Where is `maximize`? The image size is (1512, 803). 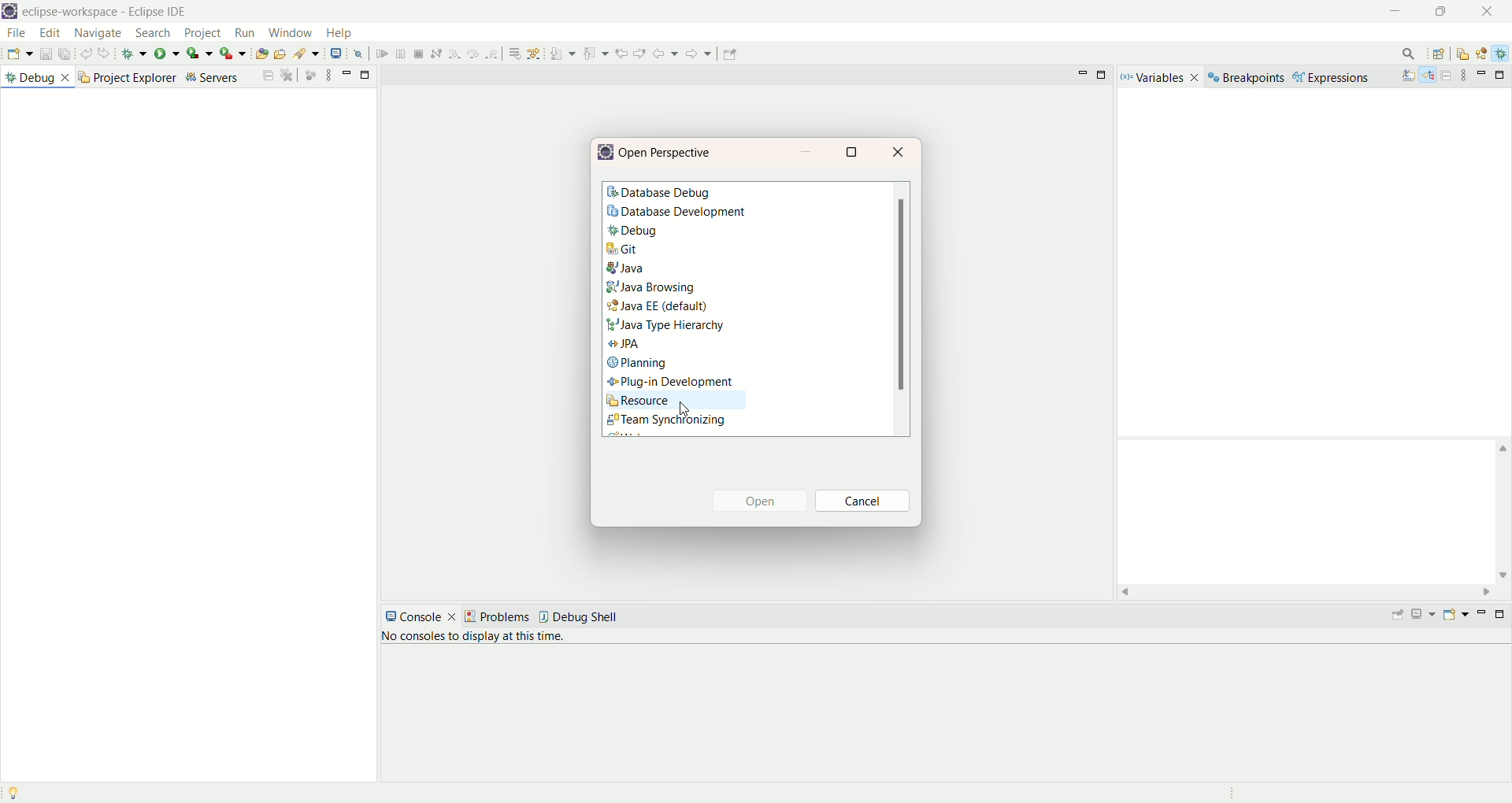 maximize is located at coordinates (856, 153).